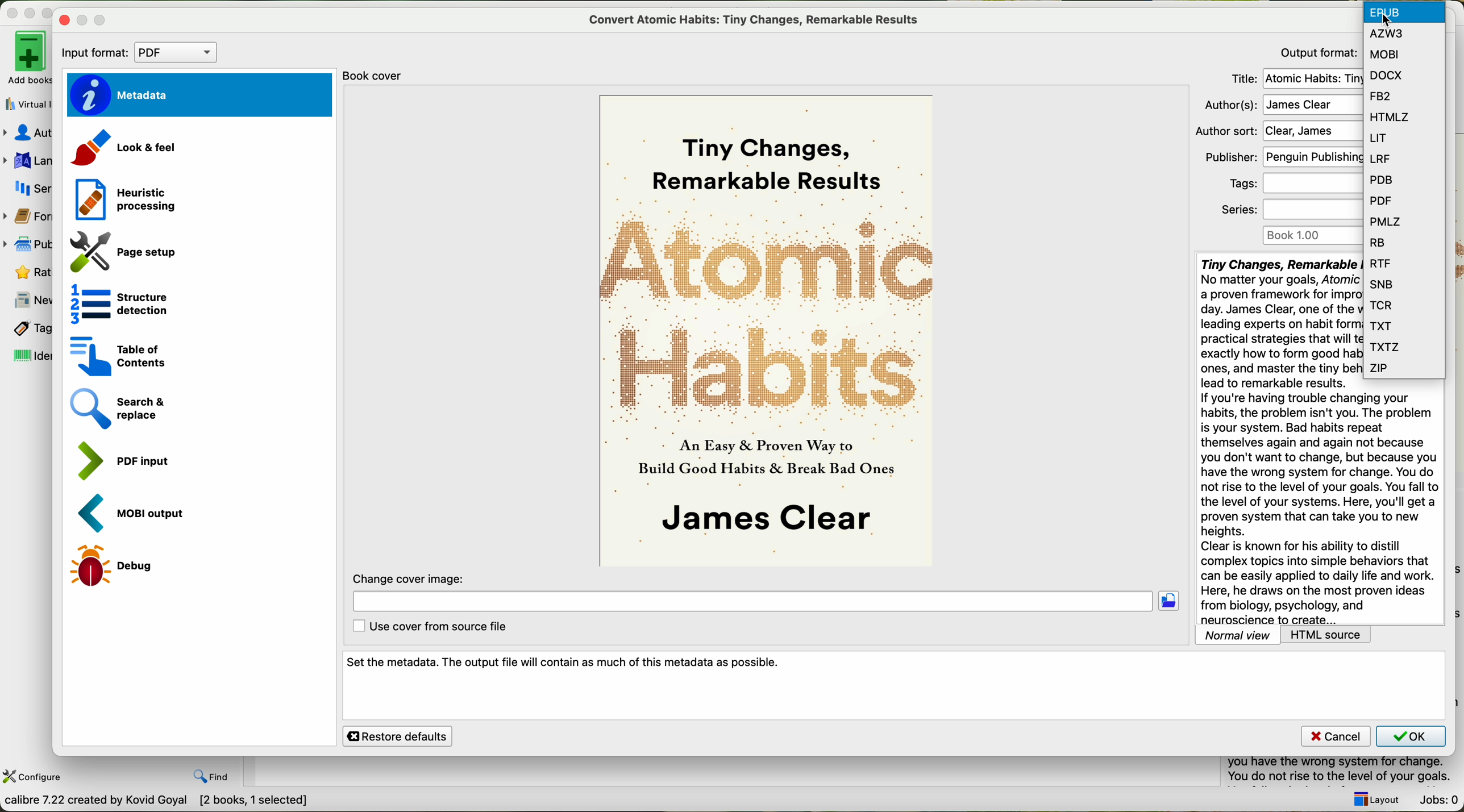 This screenshot has height=812, width=1464. What do you see at coordinates (1315, 235) in the screenshot?
I see `book 1.00` at bounding box center [1315, 235].